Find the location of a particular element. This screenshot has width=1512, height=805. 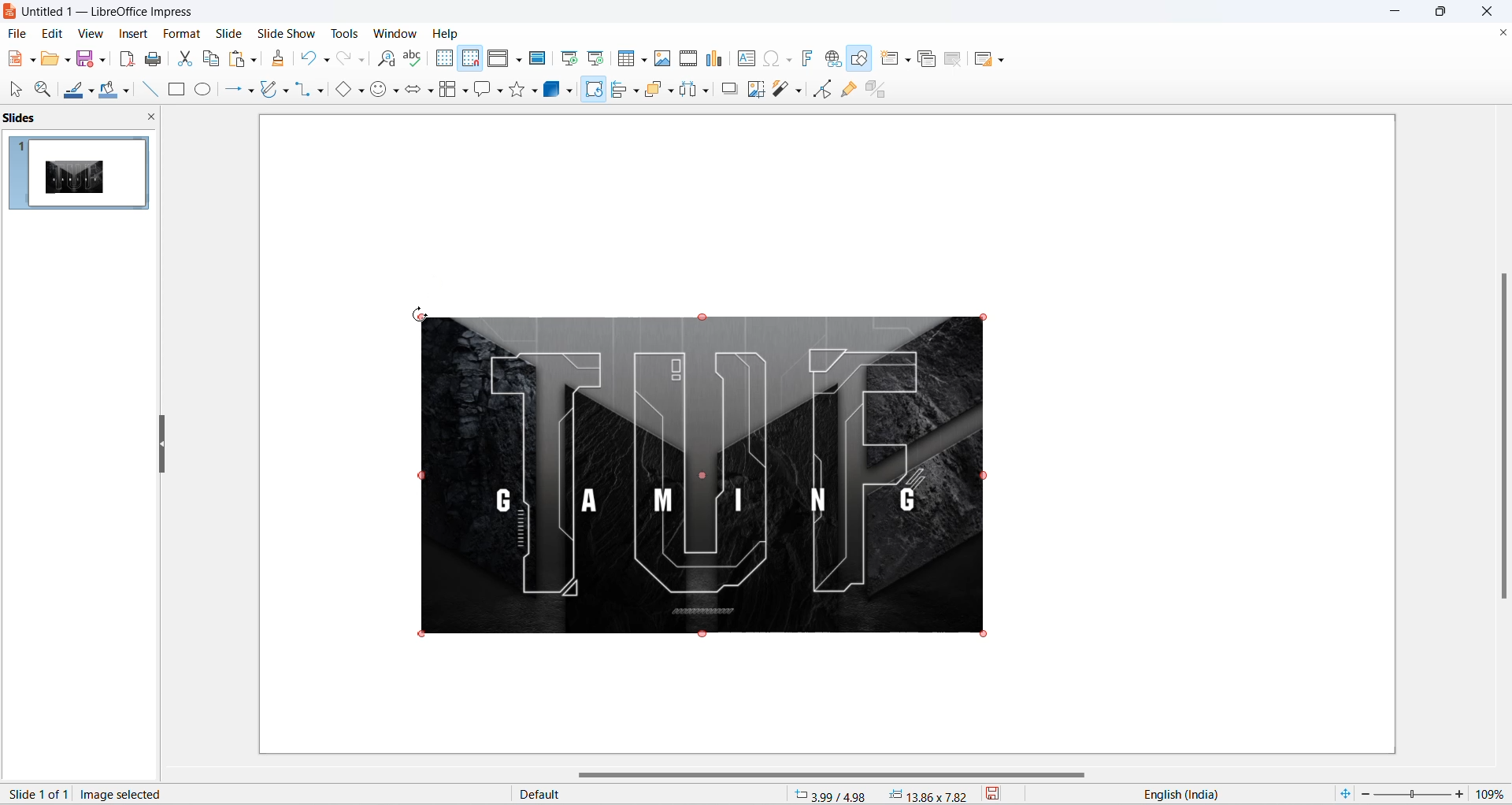

connectors is located at coordinates (303, 90).